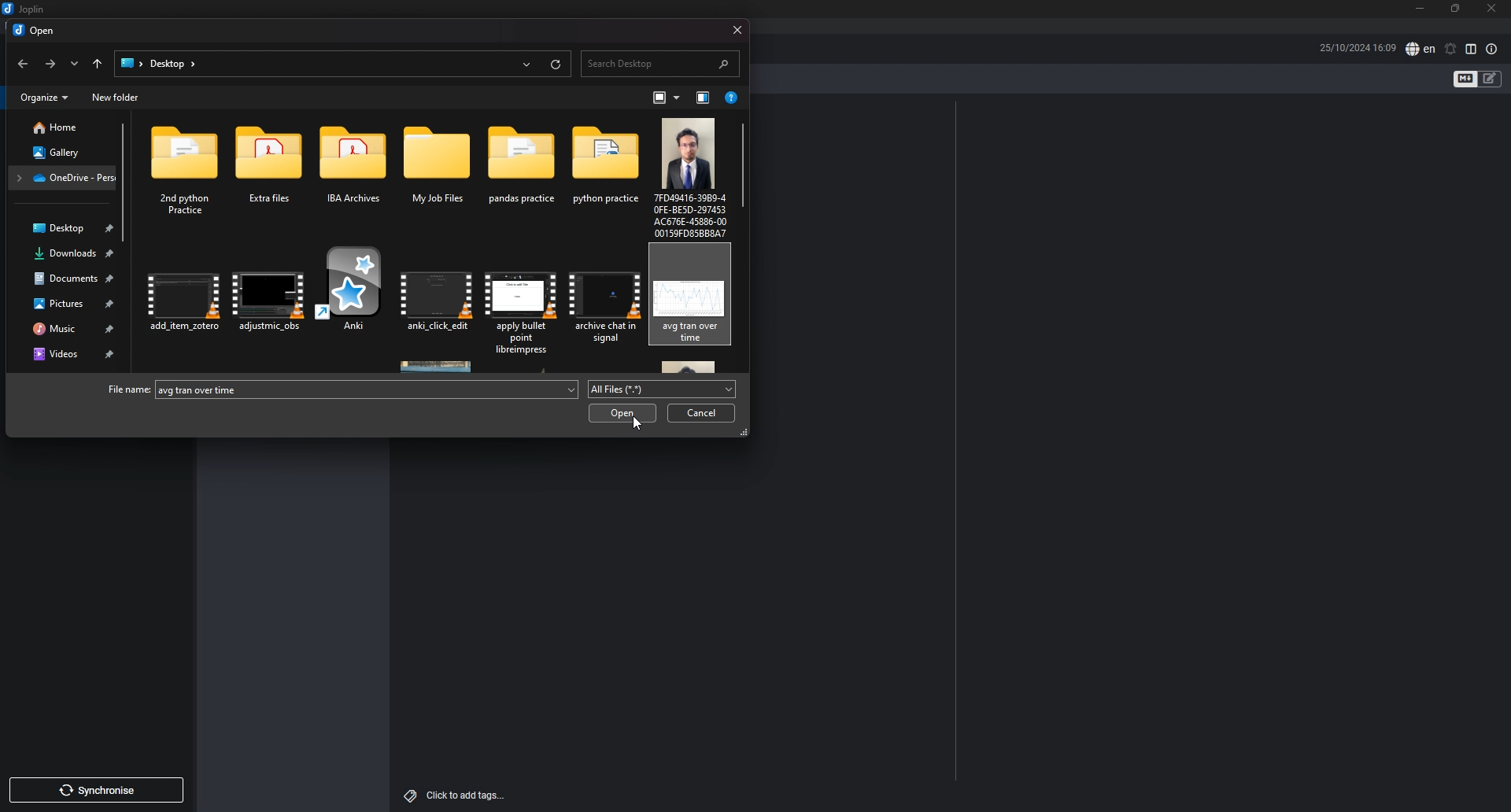 Image resolution: width=1511 pixels, height=812 pixels. Describe the element at coordinates (521, 174) in the screenshot. I see `pandas practice` at that location.